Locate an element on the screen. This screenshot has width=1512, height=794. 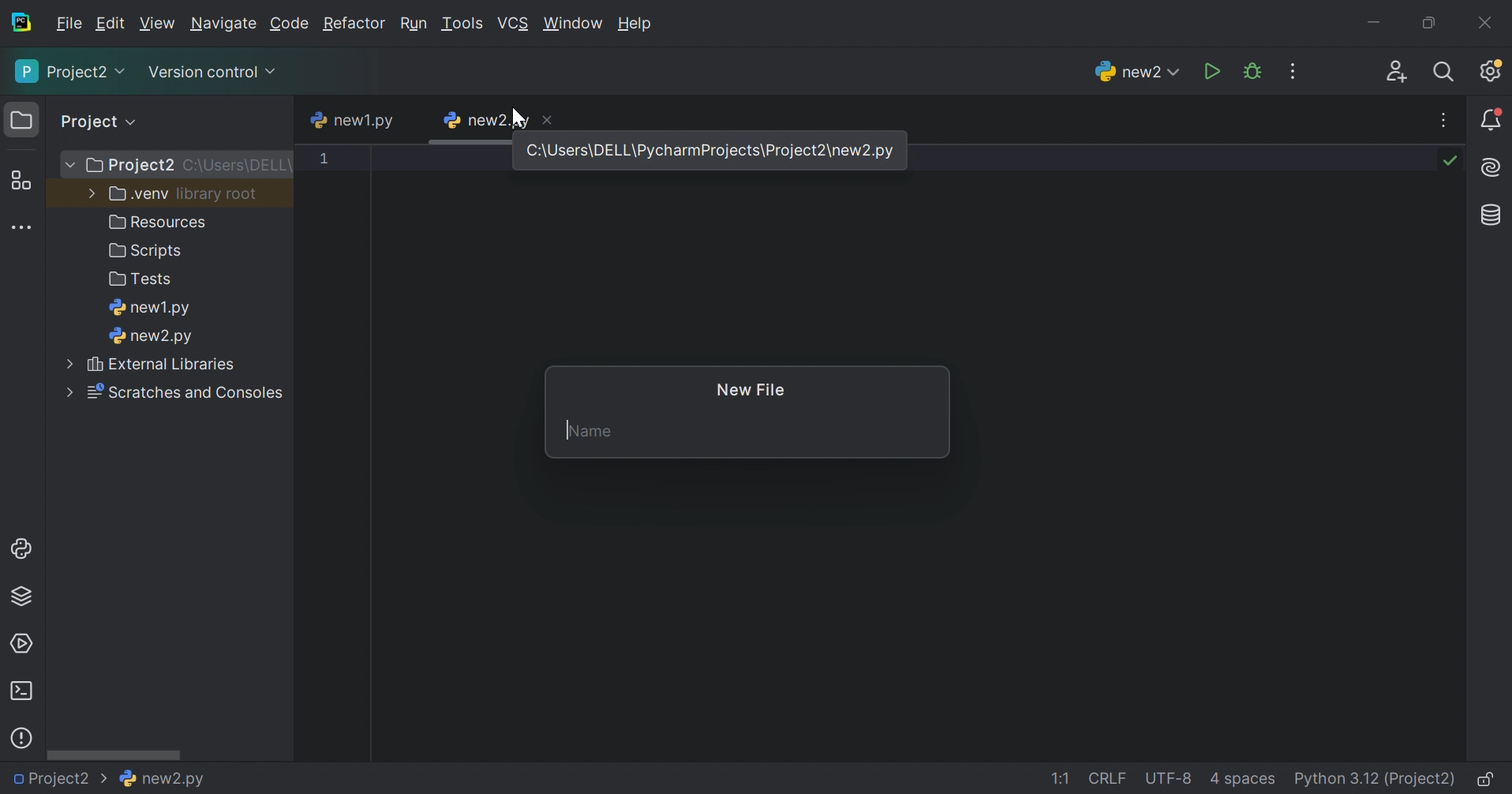
Recent files, tab actions, and more is located at coordinates (1445, 120).